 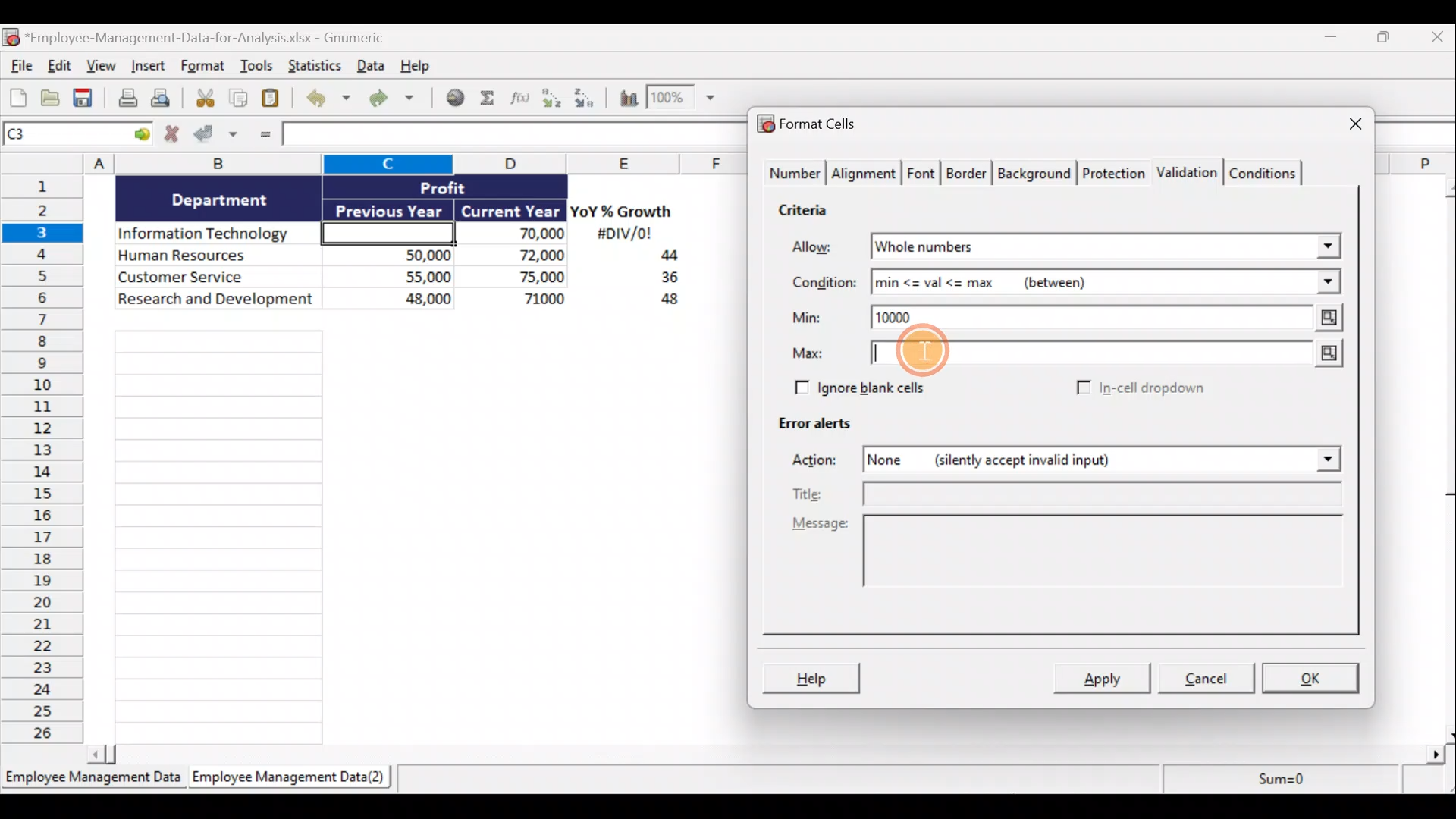 I want to click on *Employee-Management-Data-for-Analysis.xlsx - Gnumeric, so click(x=222, y=36).